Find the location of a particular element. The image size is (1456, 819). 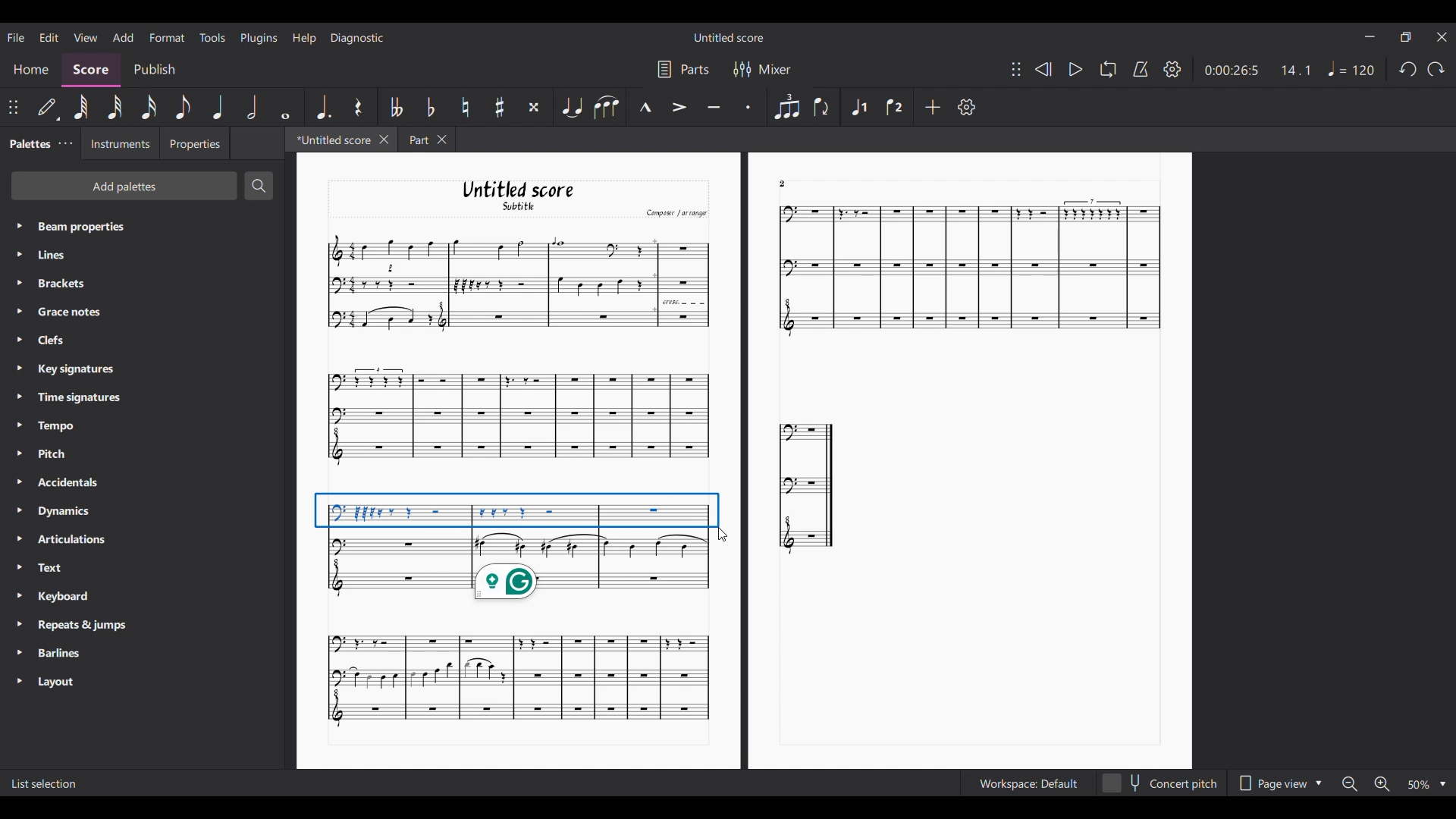

Home  is located at coordinates (30, 71).